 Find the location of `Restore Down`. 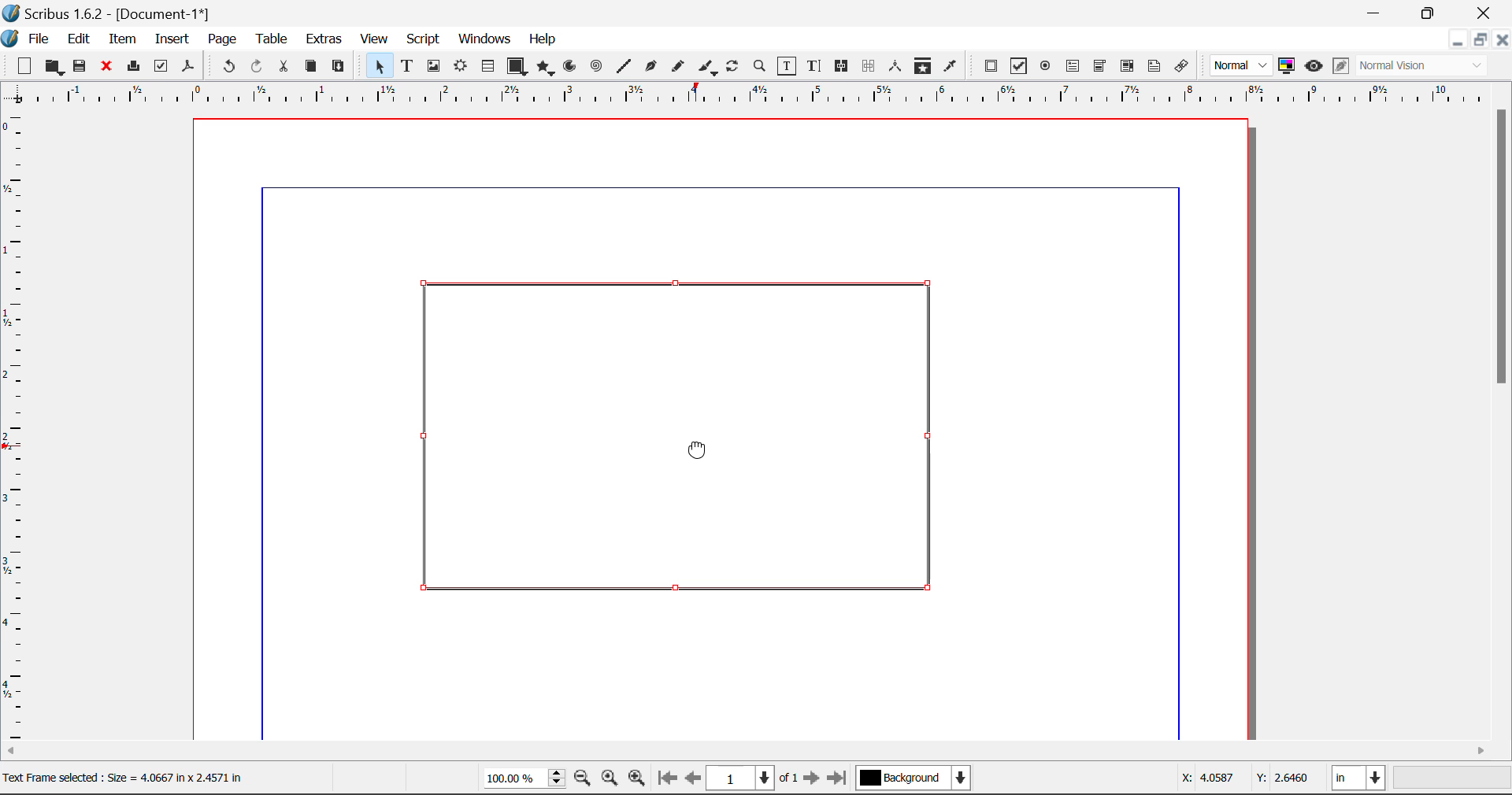

Restore Down is located at coordinates (1377, 13).